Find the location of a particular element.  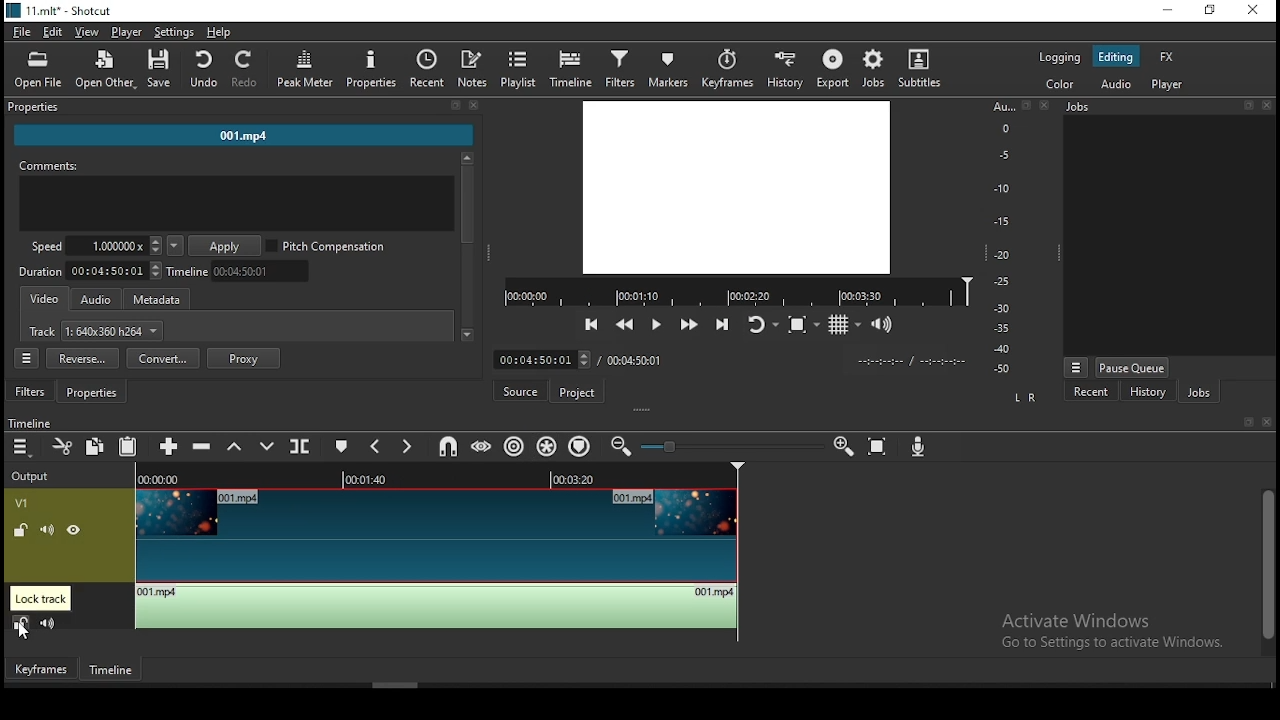

time is located at coordinates (909, 362).